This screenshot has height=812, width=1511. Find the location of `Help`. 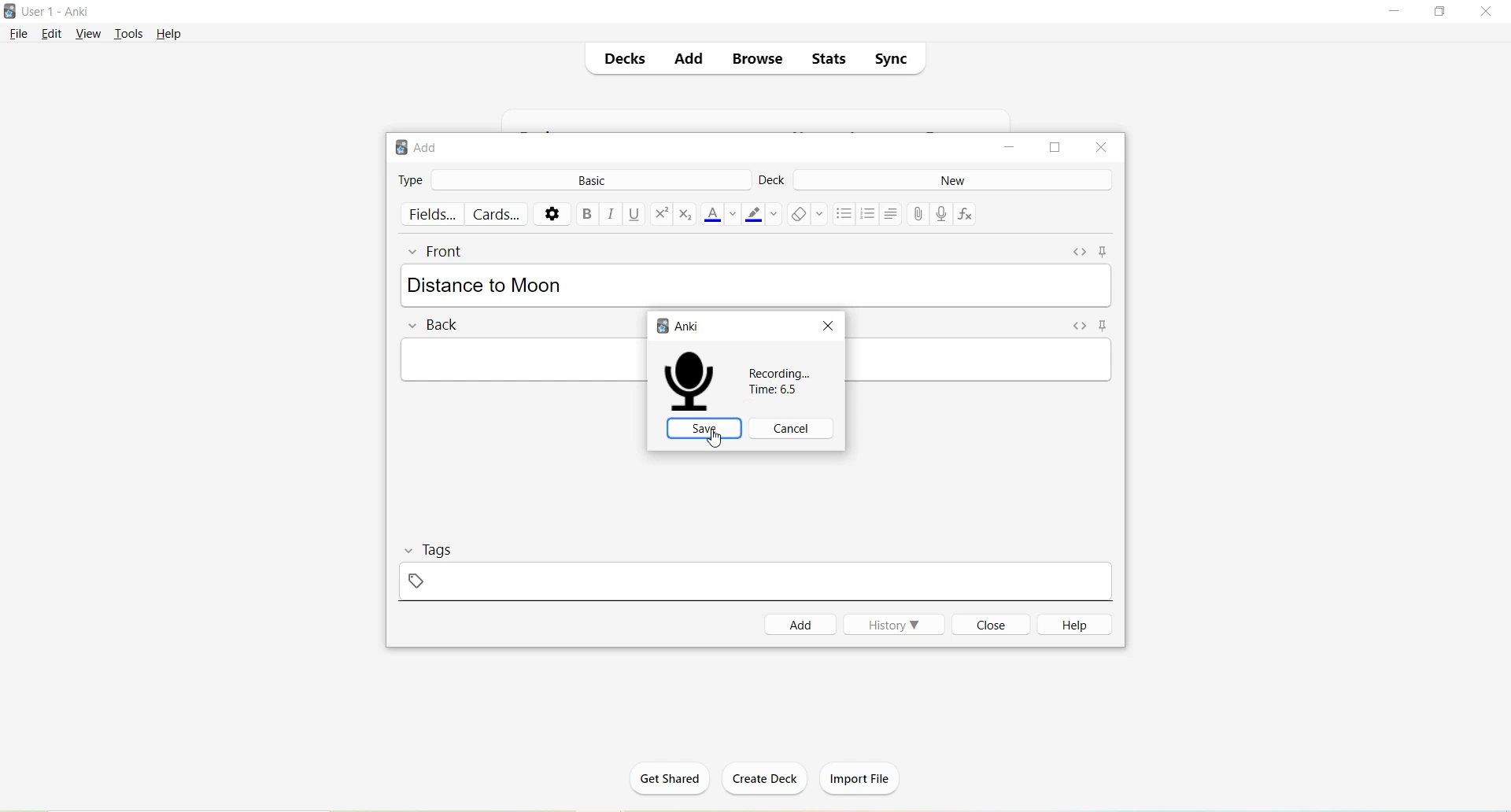

Help is located at coordinates (169, 35).